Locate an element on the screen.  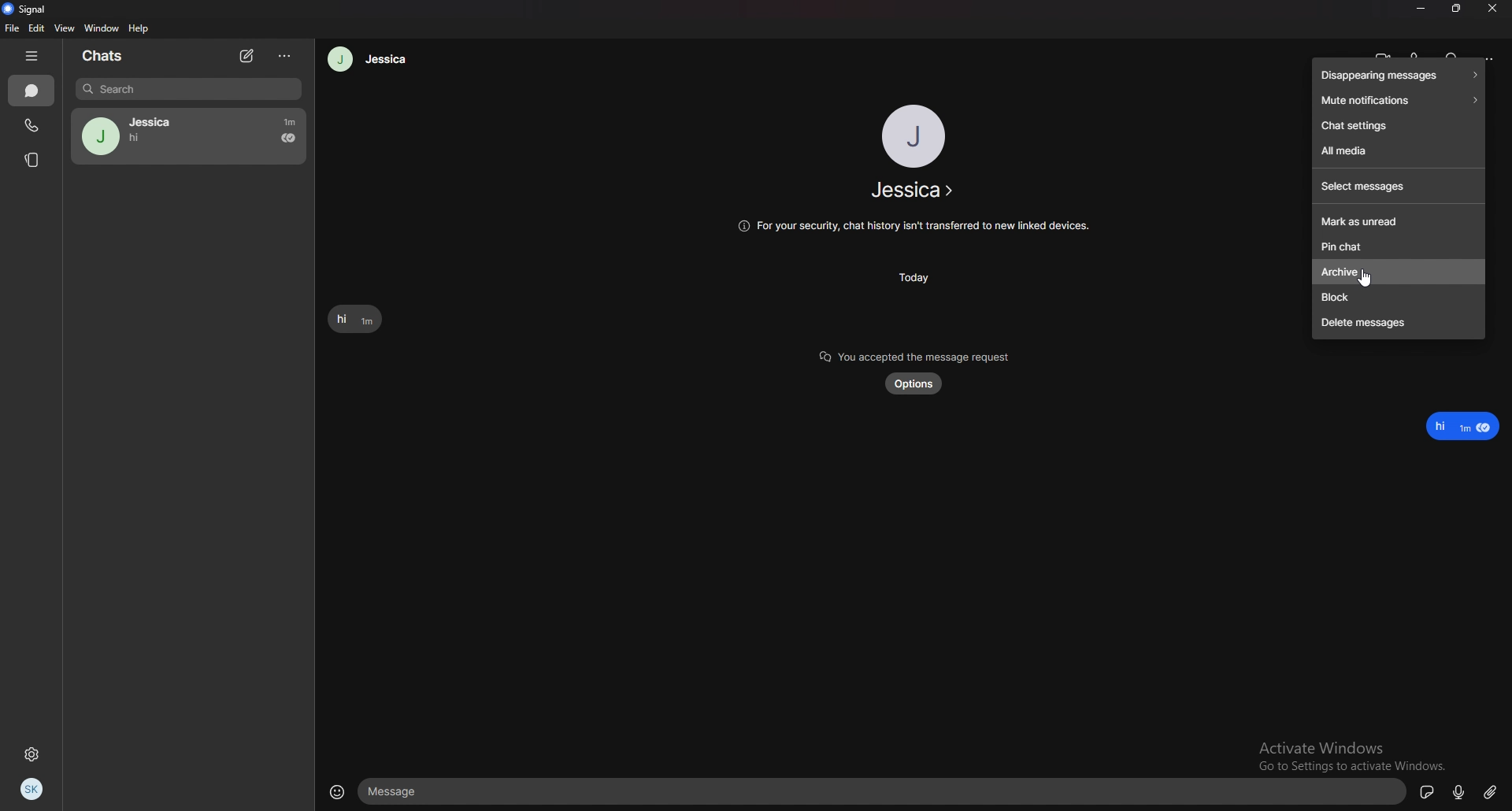
call is located at coordinates (1419, 52).